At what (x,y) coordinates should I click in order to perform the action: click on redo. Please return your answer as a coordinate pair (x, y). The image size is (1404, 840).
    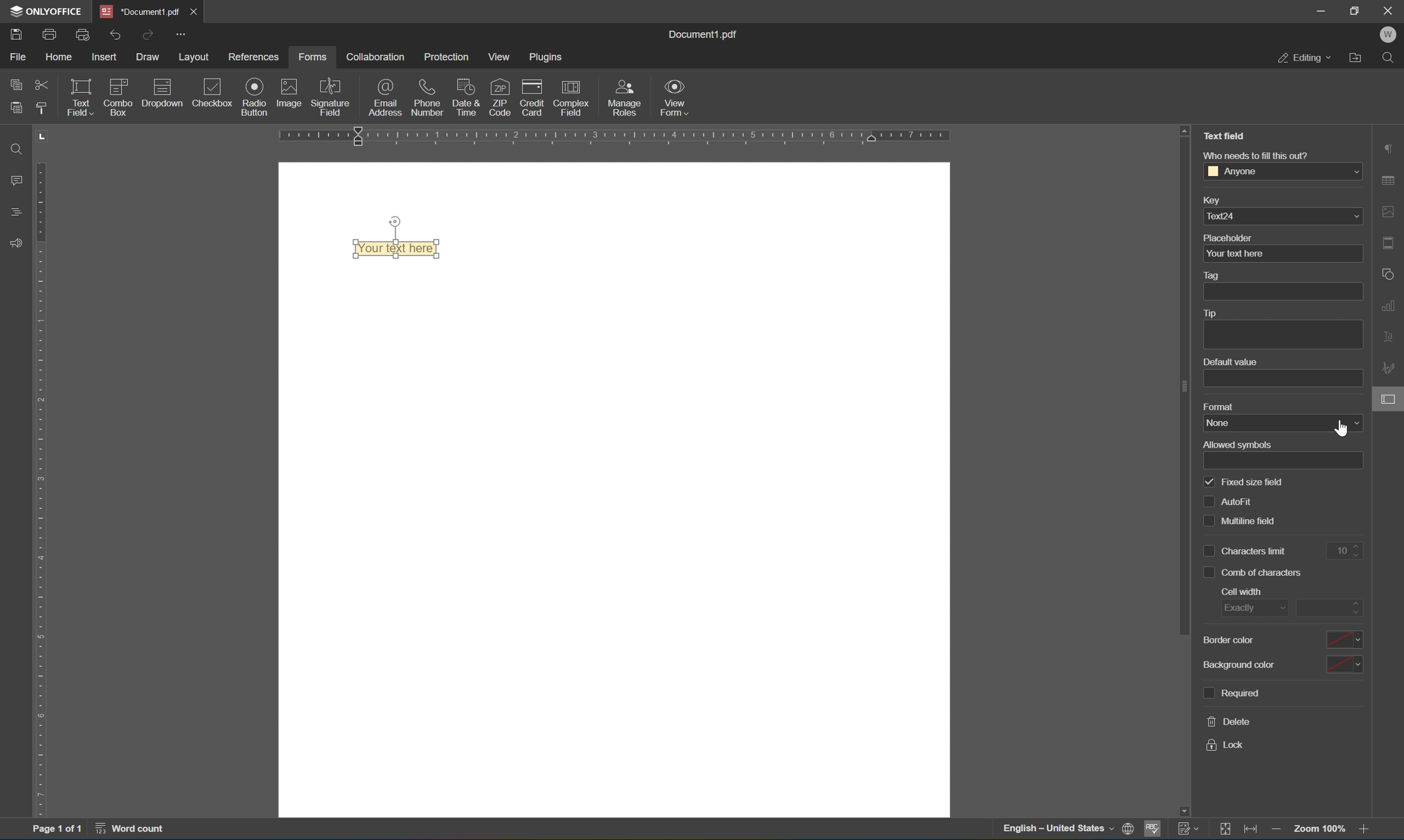
    Looking at the image, I should click on (150, 35).